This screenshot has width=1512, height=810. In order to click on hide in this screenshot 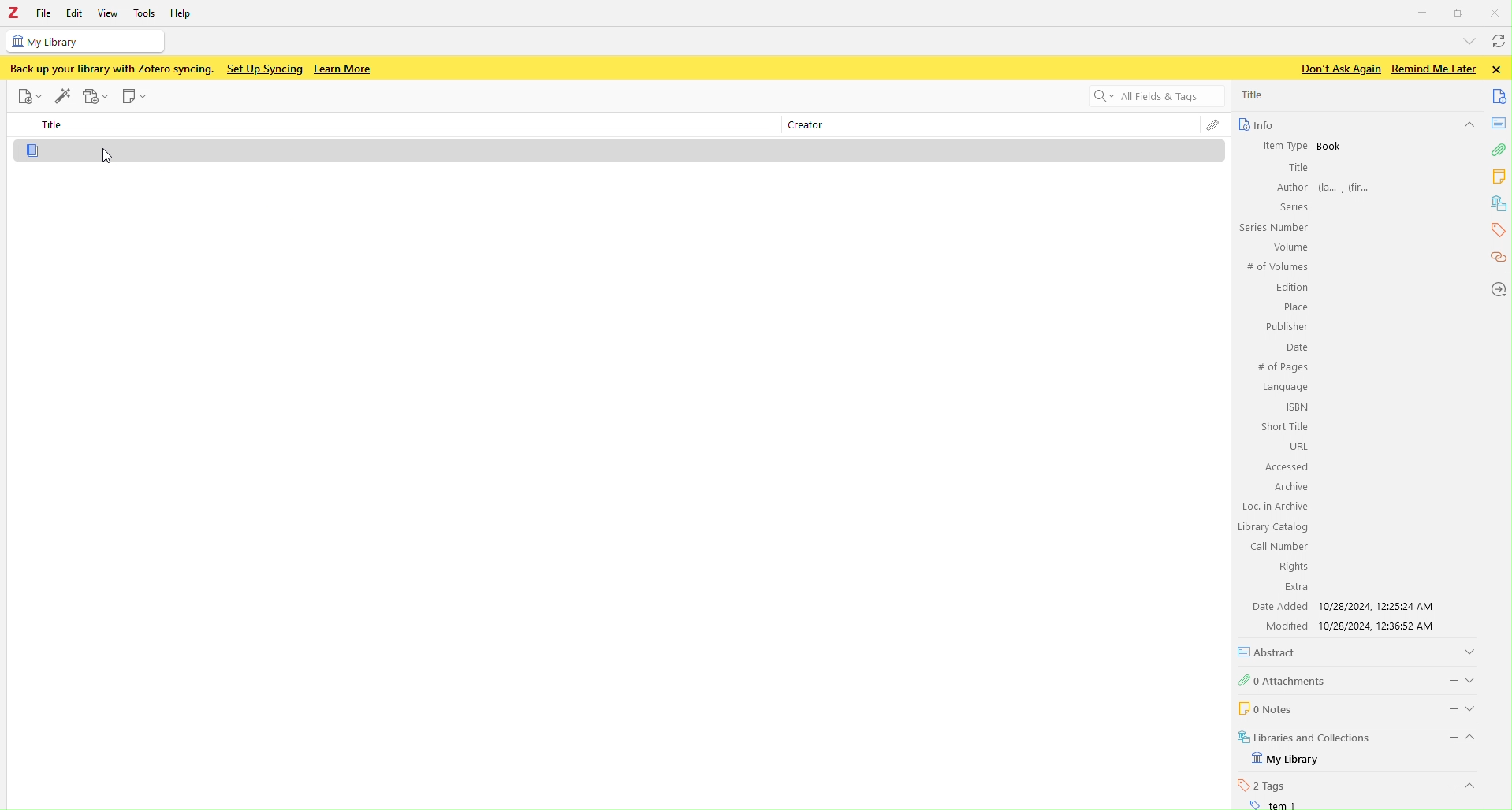, I will do `click(1477, 740)`.